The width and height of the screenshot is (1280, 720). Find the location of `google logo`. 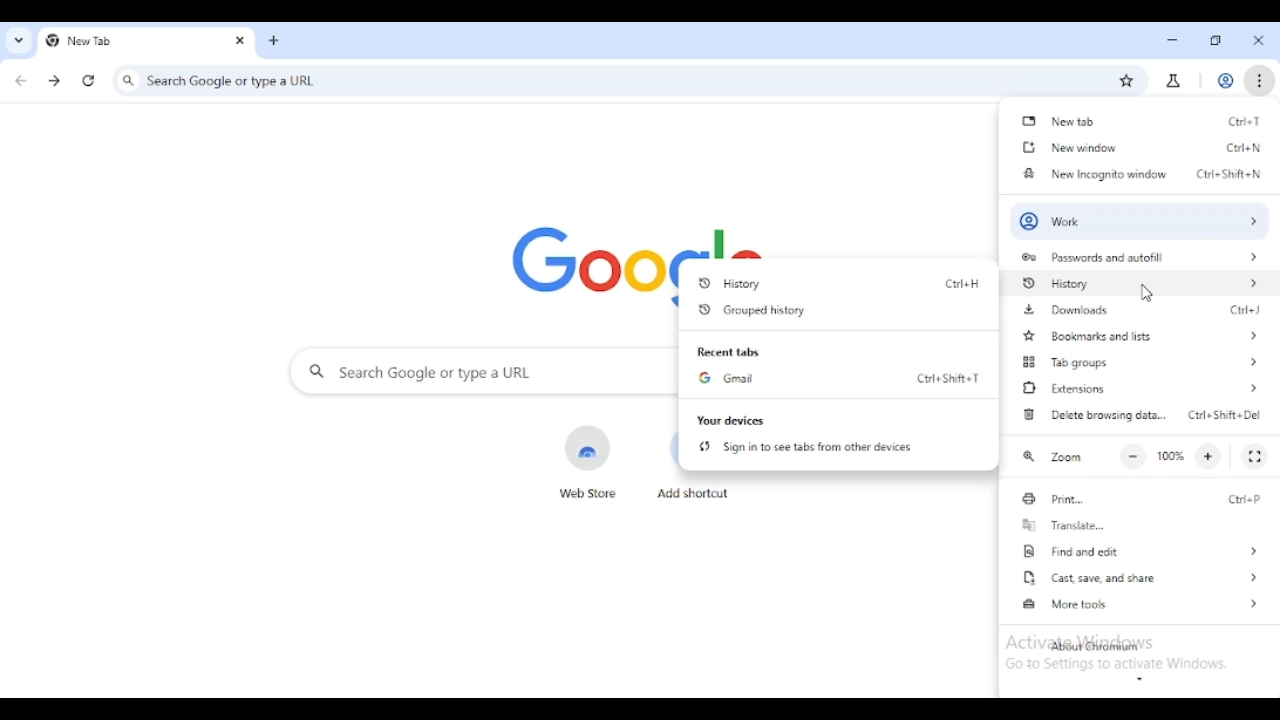

google logo is located at coordinates (584, 265).